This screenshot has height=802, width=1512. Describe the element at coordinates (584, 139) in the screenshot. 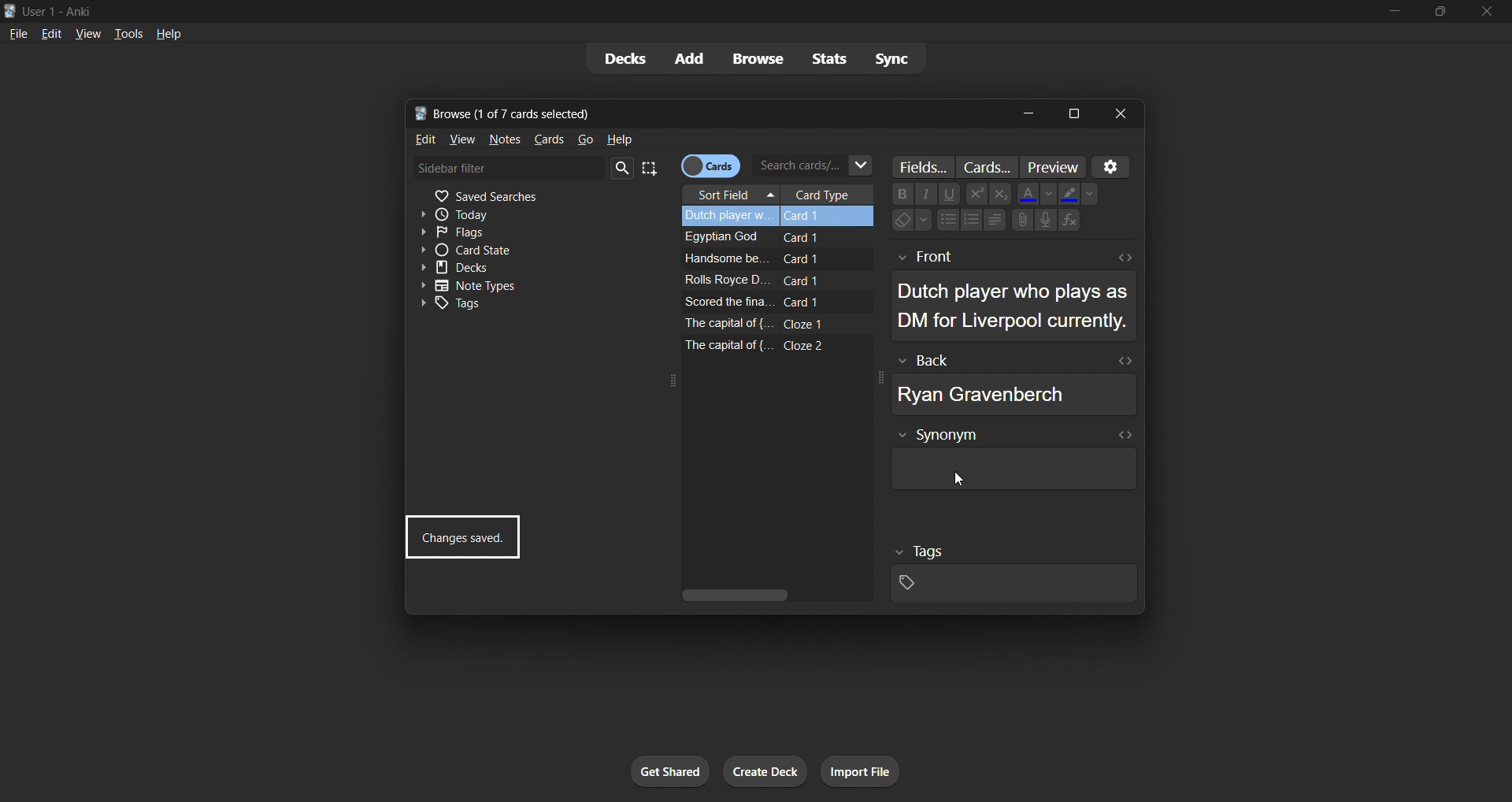

I see `go` at that location.